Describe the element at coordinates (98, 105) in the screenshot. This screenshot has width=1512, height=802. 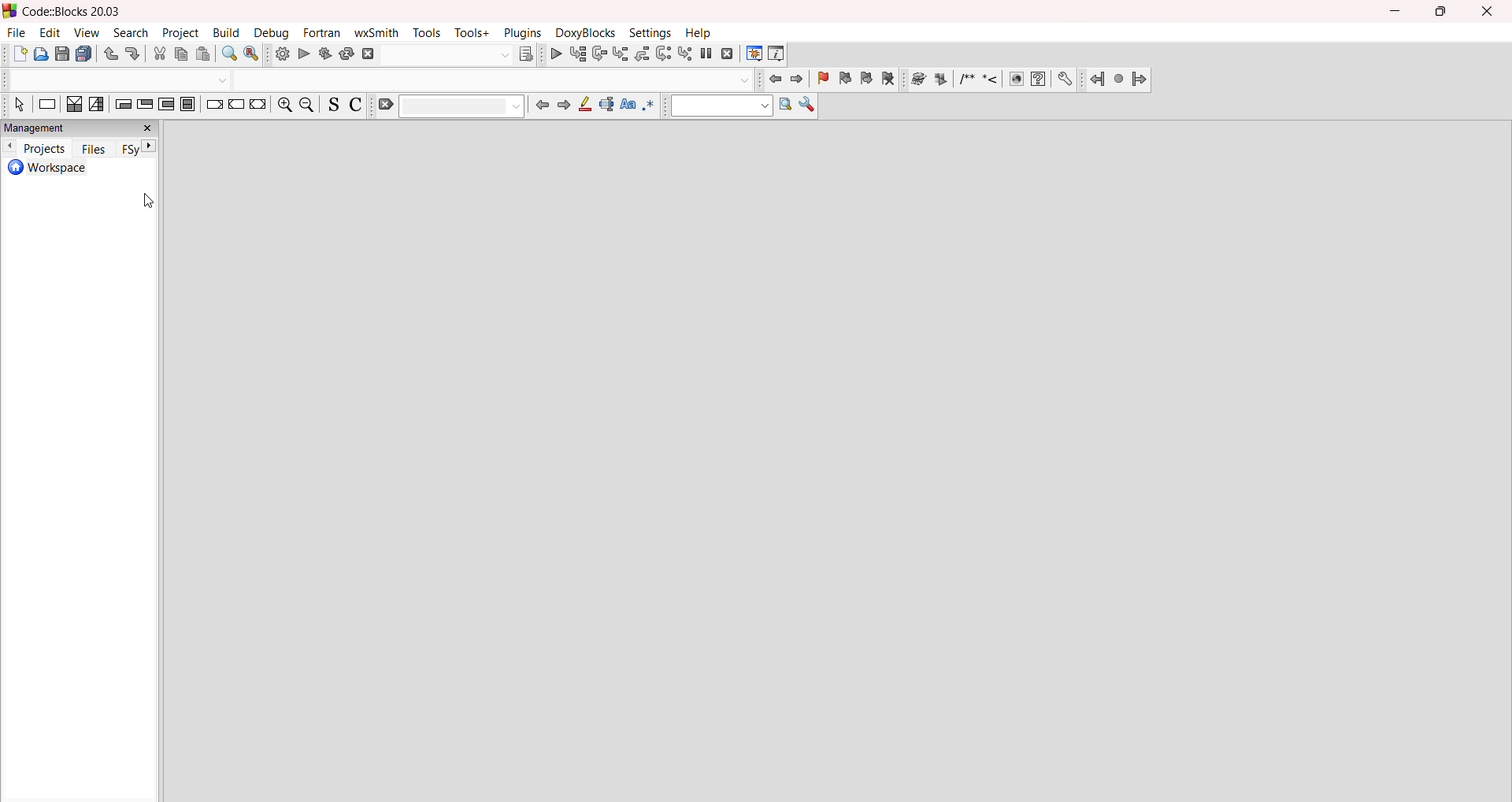
I see `selection` at that location.